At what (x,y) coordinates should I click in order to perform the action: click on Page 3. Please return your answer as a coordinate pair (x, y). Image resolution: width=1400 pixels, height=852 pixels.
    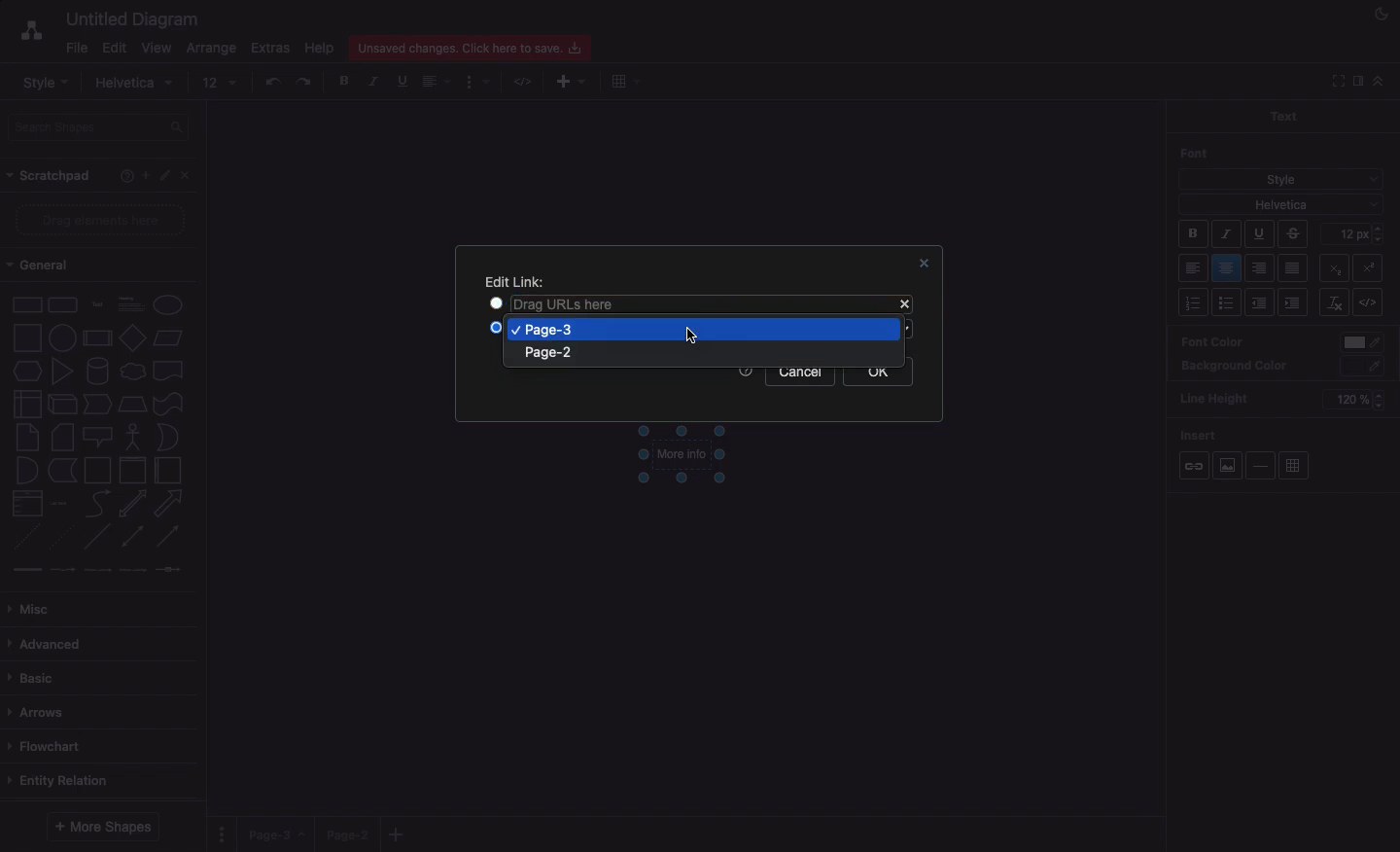
    Looking at the image, I should click on (549, 331).